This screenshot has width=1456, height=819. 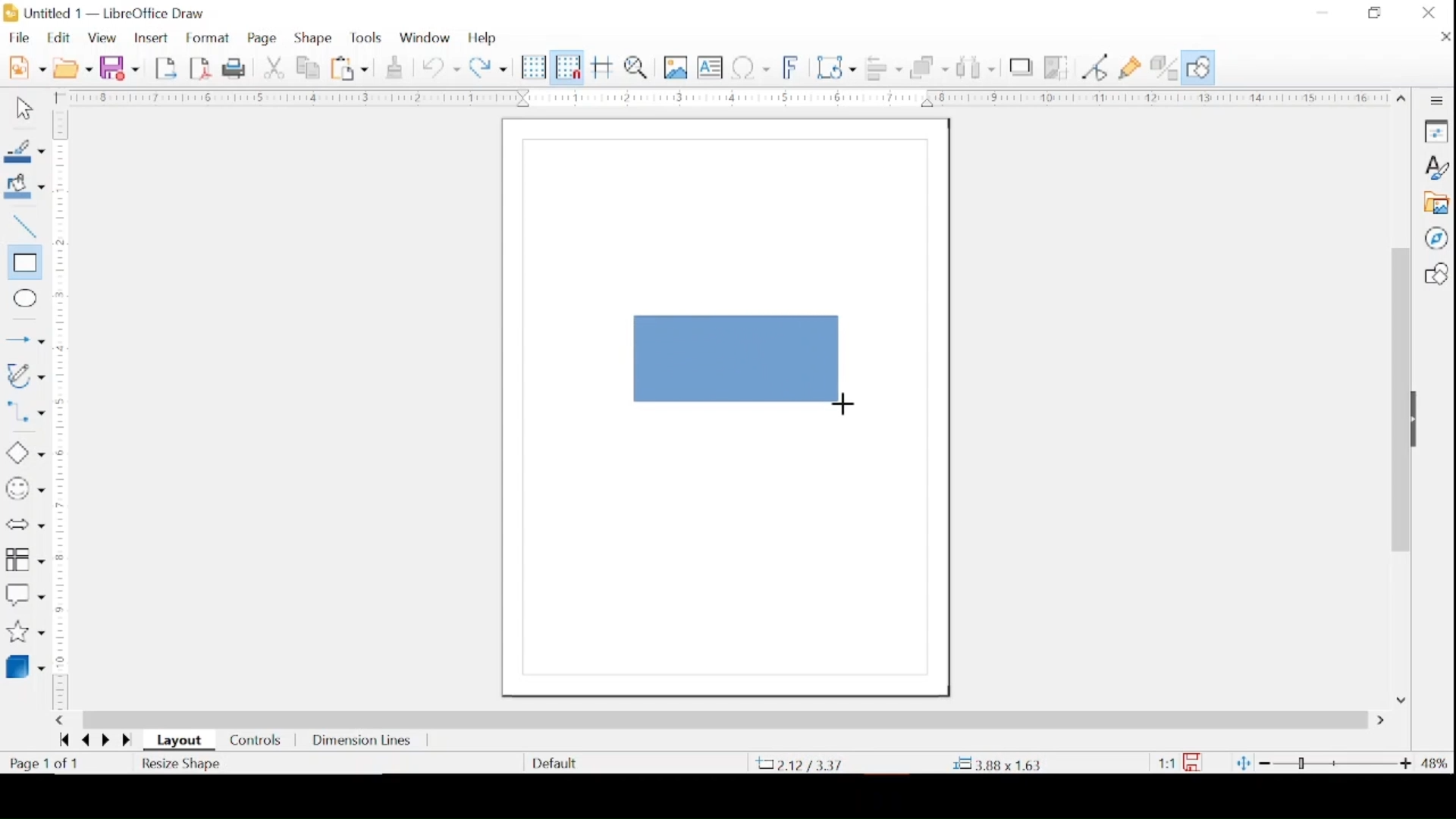 I want to click on insert, so click(x=150, y=39).